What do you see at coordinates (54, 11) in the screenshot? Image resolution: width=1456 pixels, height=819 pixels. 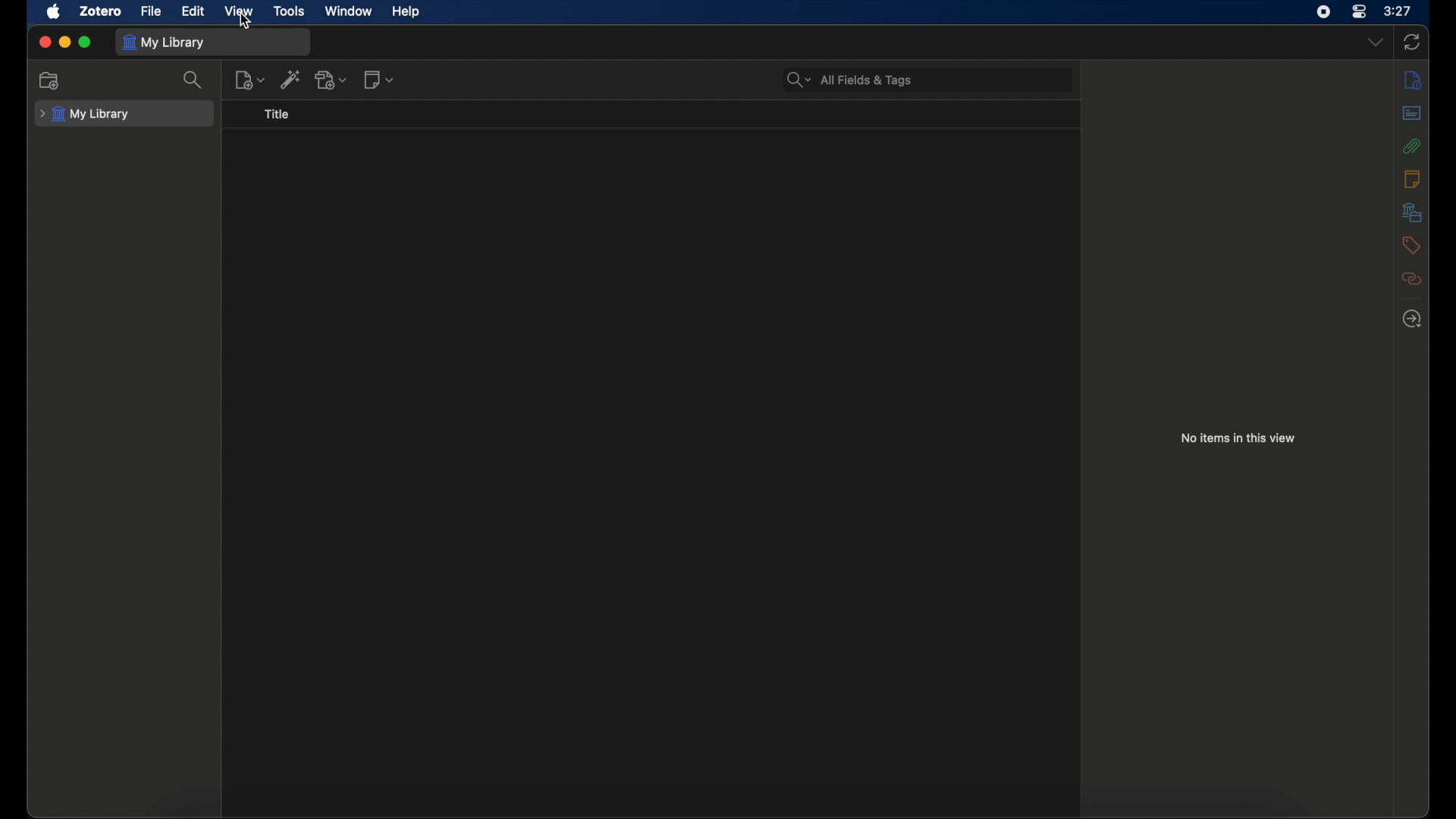 I see `apple` at bounding box center [54, 11].